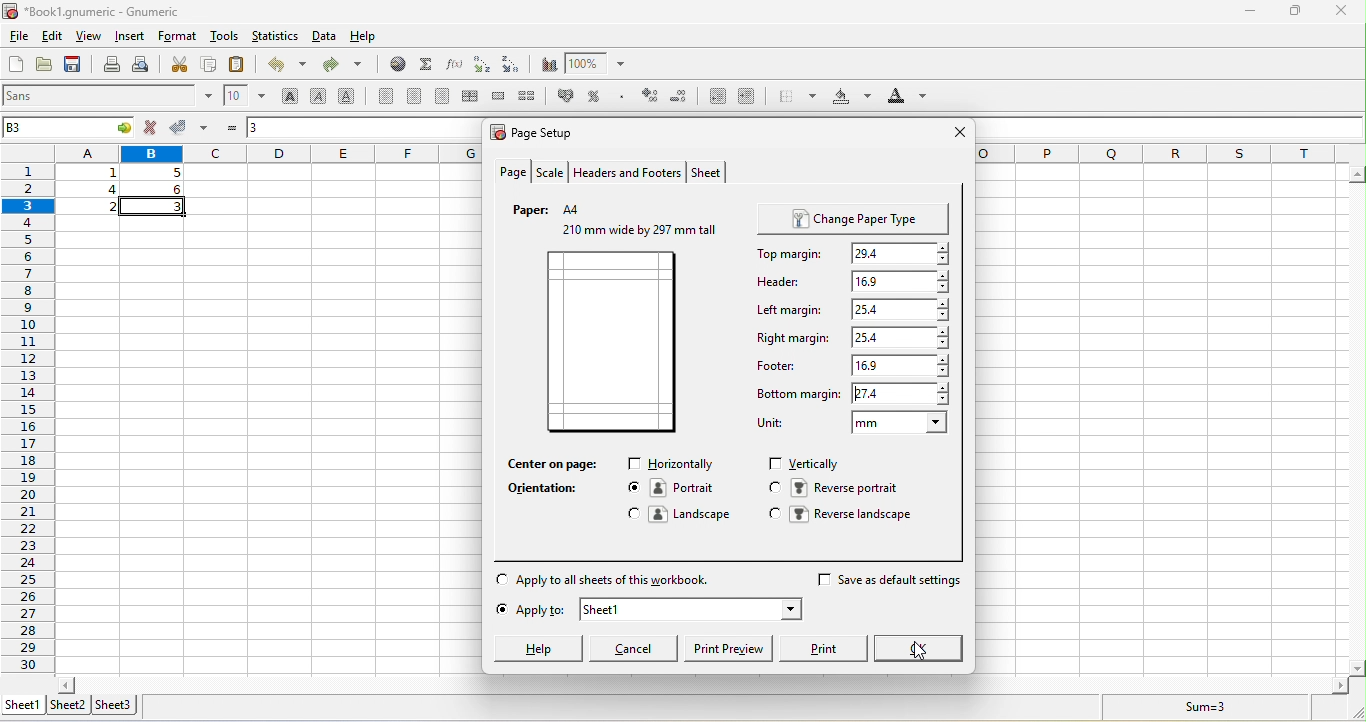 The width and height of the screenshot is (1366, 722). I want to click on reverse landscape, so click(853, 519).